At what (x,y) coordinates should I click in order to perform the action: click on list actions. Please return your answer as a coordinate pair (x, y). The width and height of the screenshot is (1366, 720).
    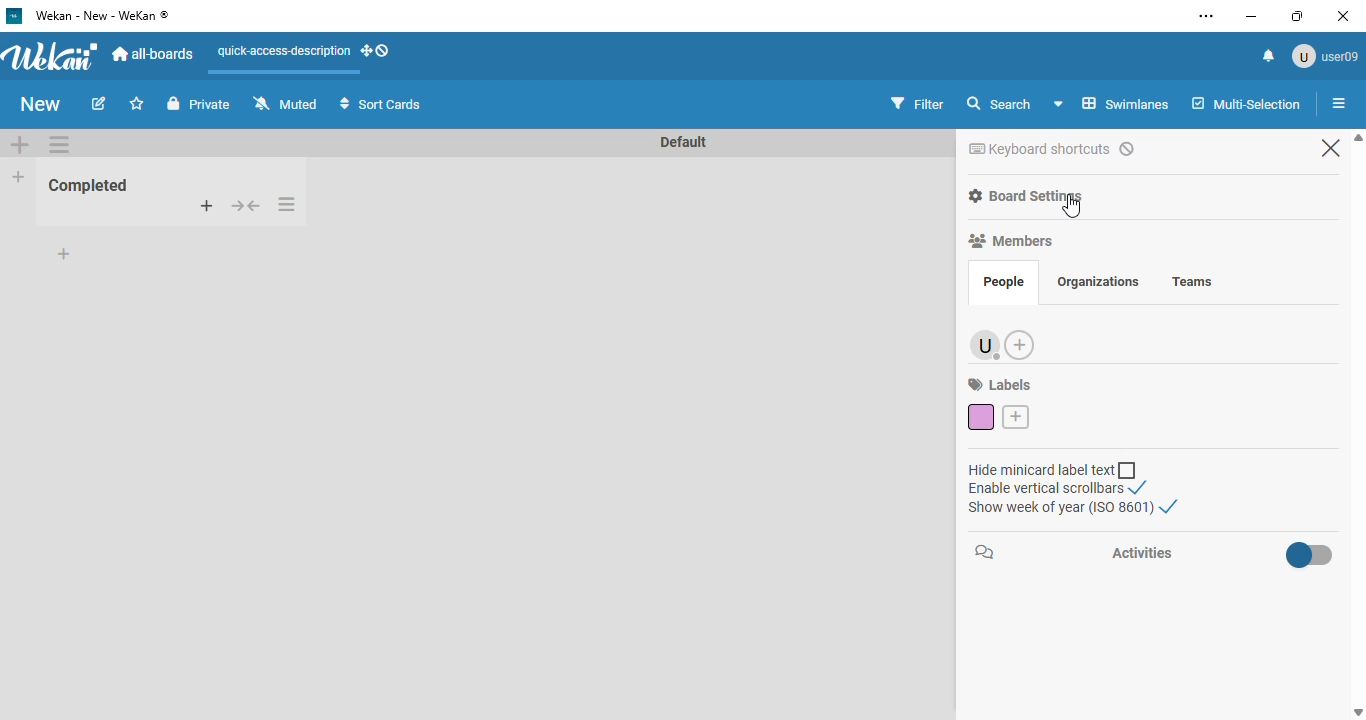
    Looking at the image, I should click on (59, 144).